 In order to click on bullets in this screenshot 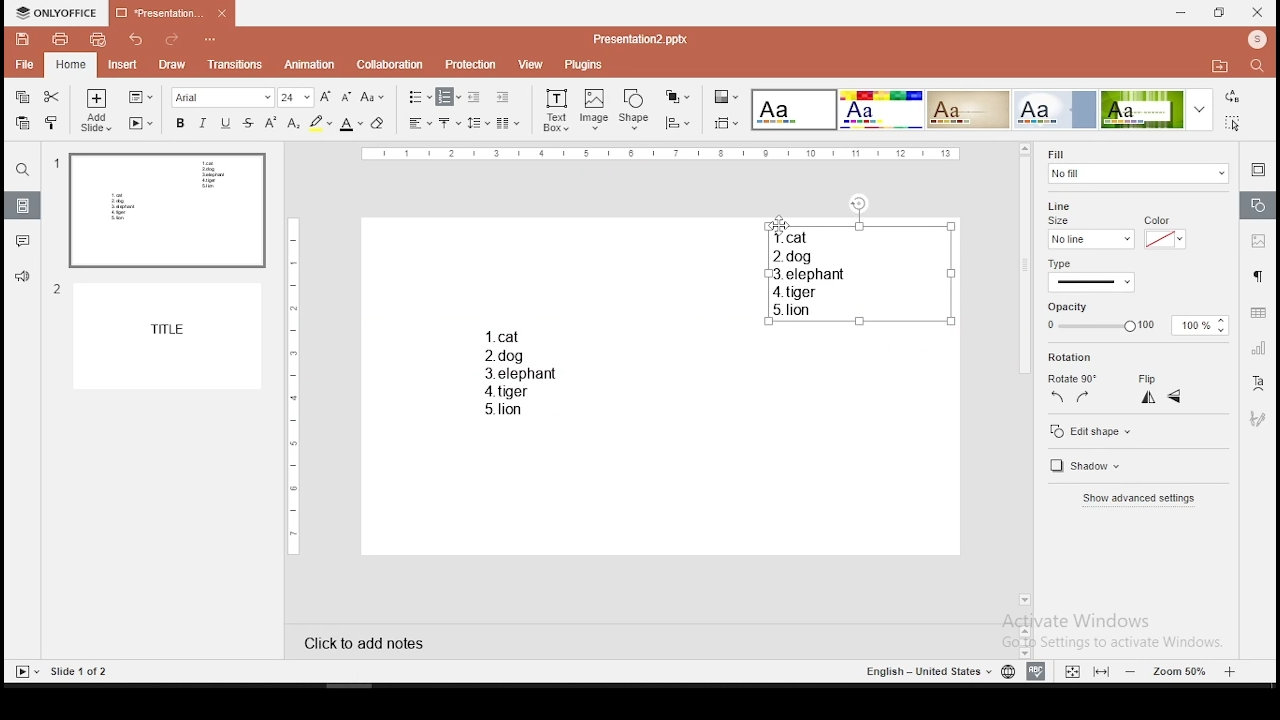, I will do `click(420, 98)`.